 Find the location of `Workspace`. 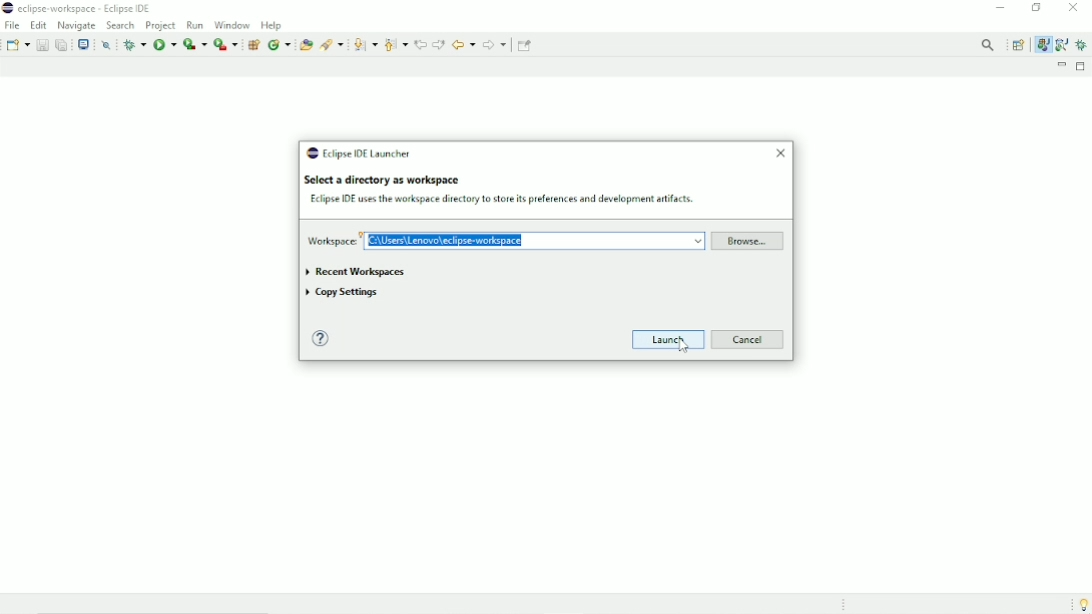

Workspace is located at coordinates (330, 240).